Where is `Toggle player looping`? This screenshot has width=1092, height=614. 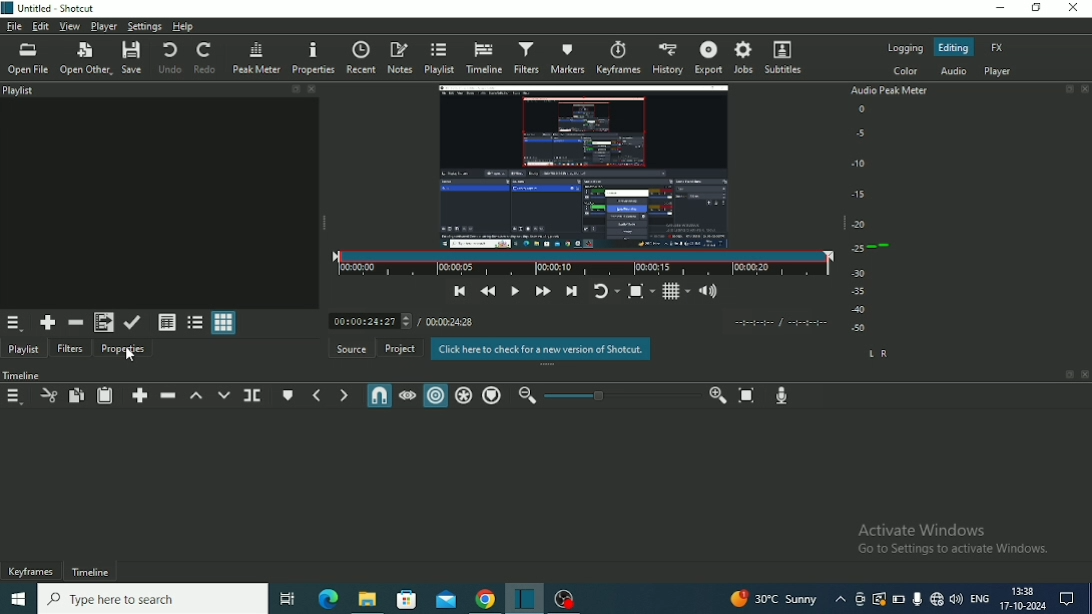 Toggle player looping is located at coordinates (606, 292).